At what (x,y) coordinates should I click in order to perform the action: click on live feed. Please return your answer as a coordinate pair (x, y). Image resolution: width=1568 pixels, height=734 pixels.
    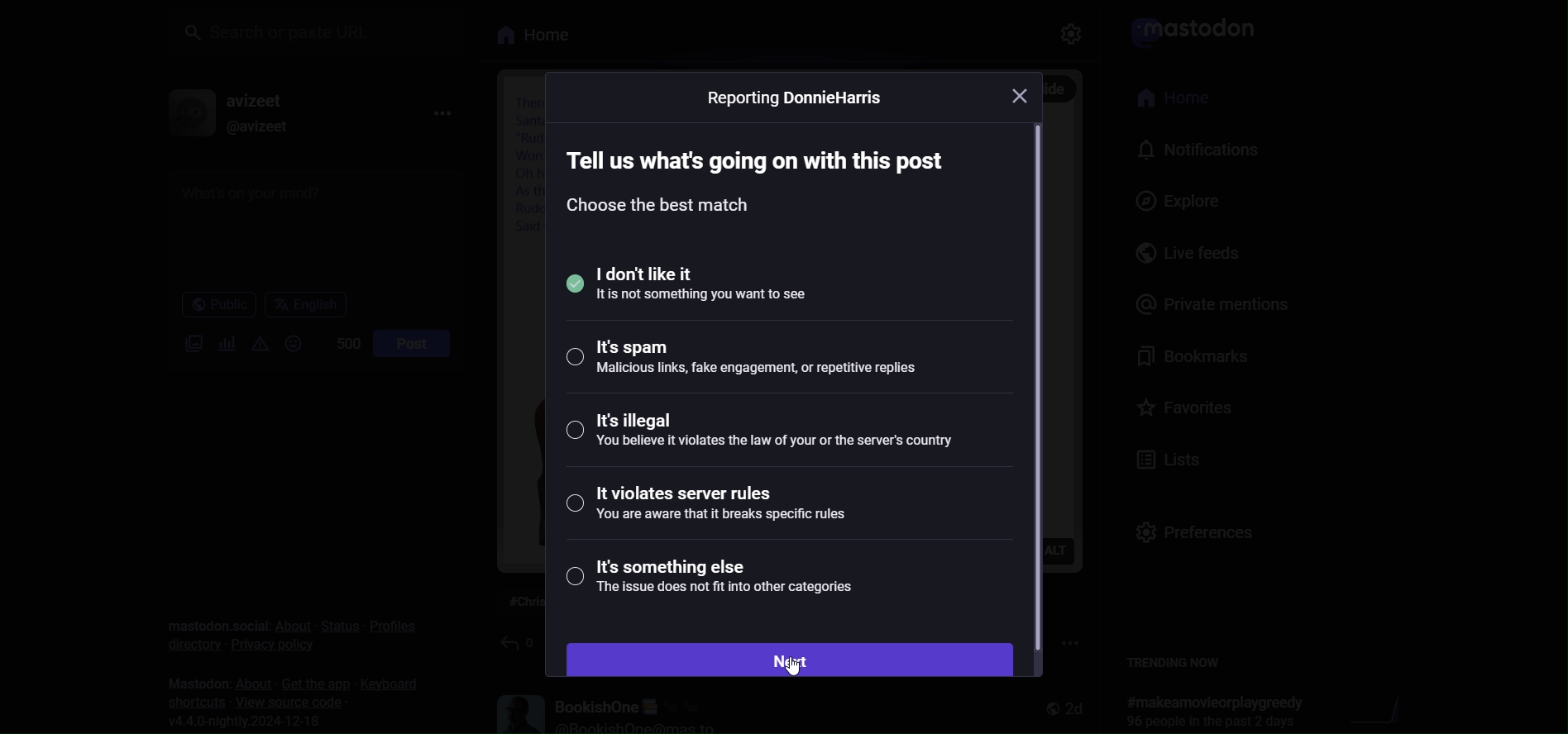
    Looking at the image, I should click on (1174, 254).